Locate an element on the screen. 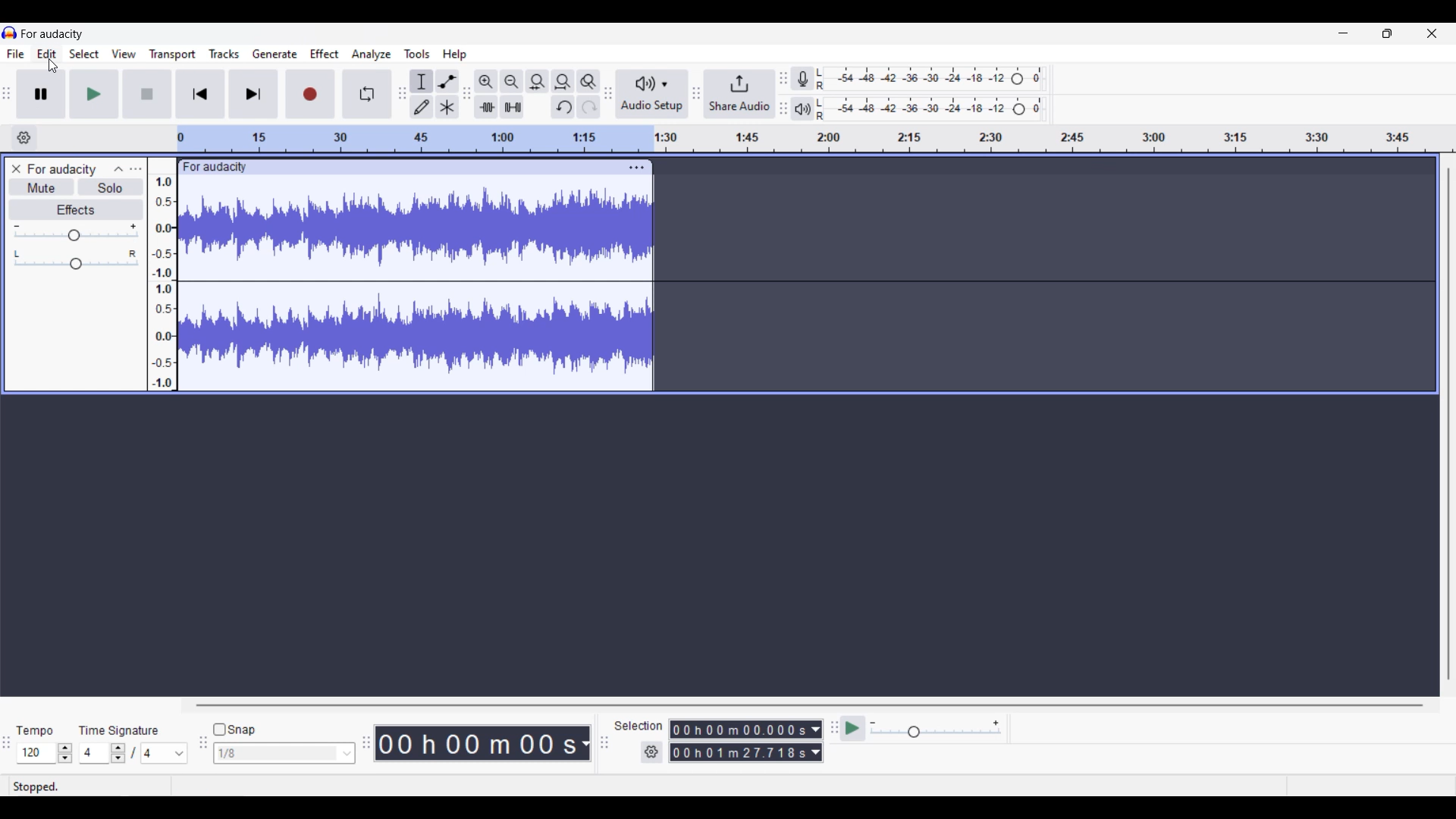 The height and width of the screenshot is (819, 1456). cursor is located at coordinates (54, 67).